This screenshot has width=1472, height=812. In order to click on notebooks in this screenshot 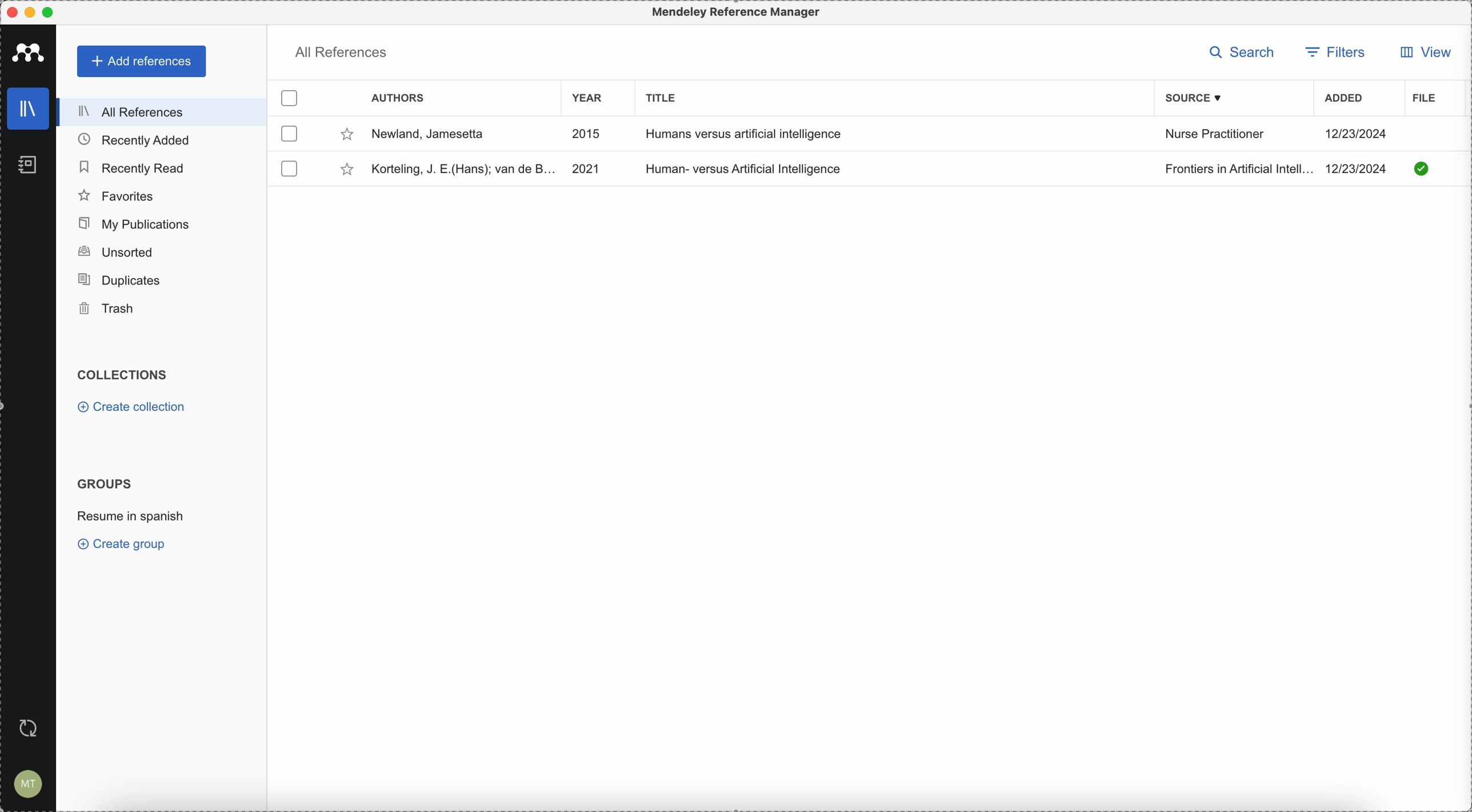, I will do `click(25, 163)`.